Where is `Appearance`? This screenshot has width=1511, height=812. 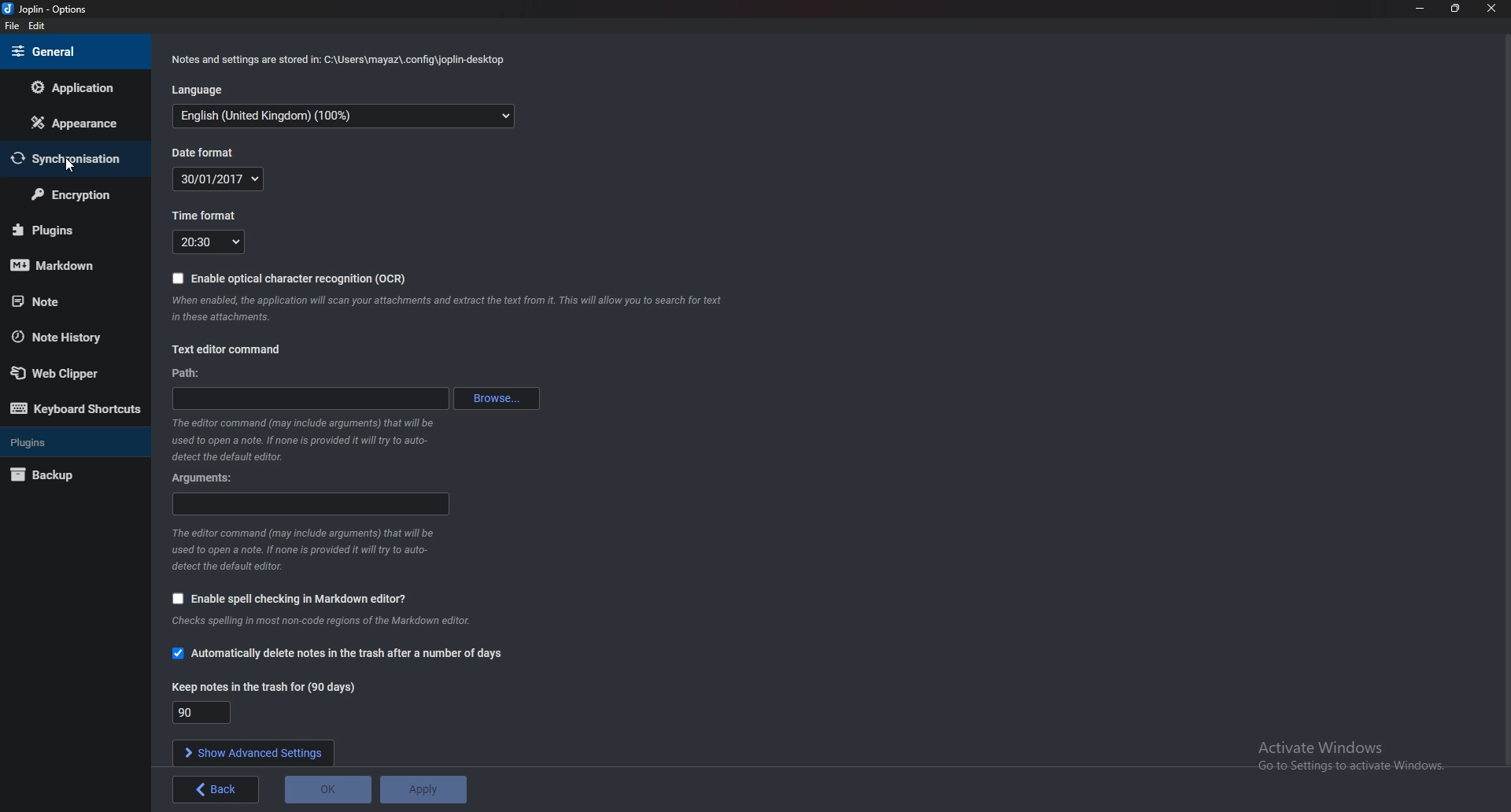 Appearance is located at coordinates (70, 123).